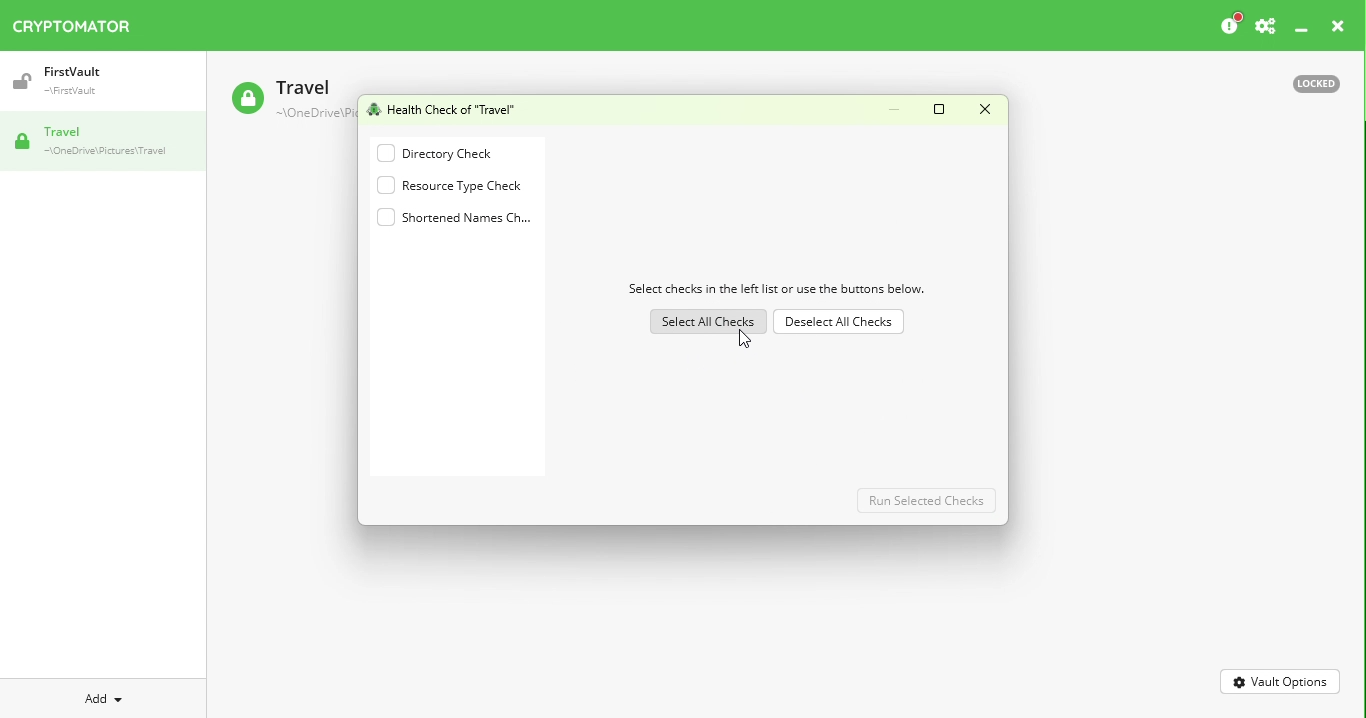 The image size is (1366, 718). Describe the element at coordinates (384, 184) in the screenshot. I see `unchecked checkbox` at that location.